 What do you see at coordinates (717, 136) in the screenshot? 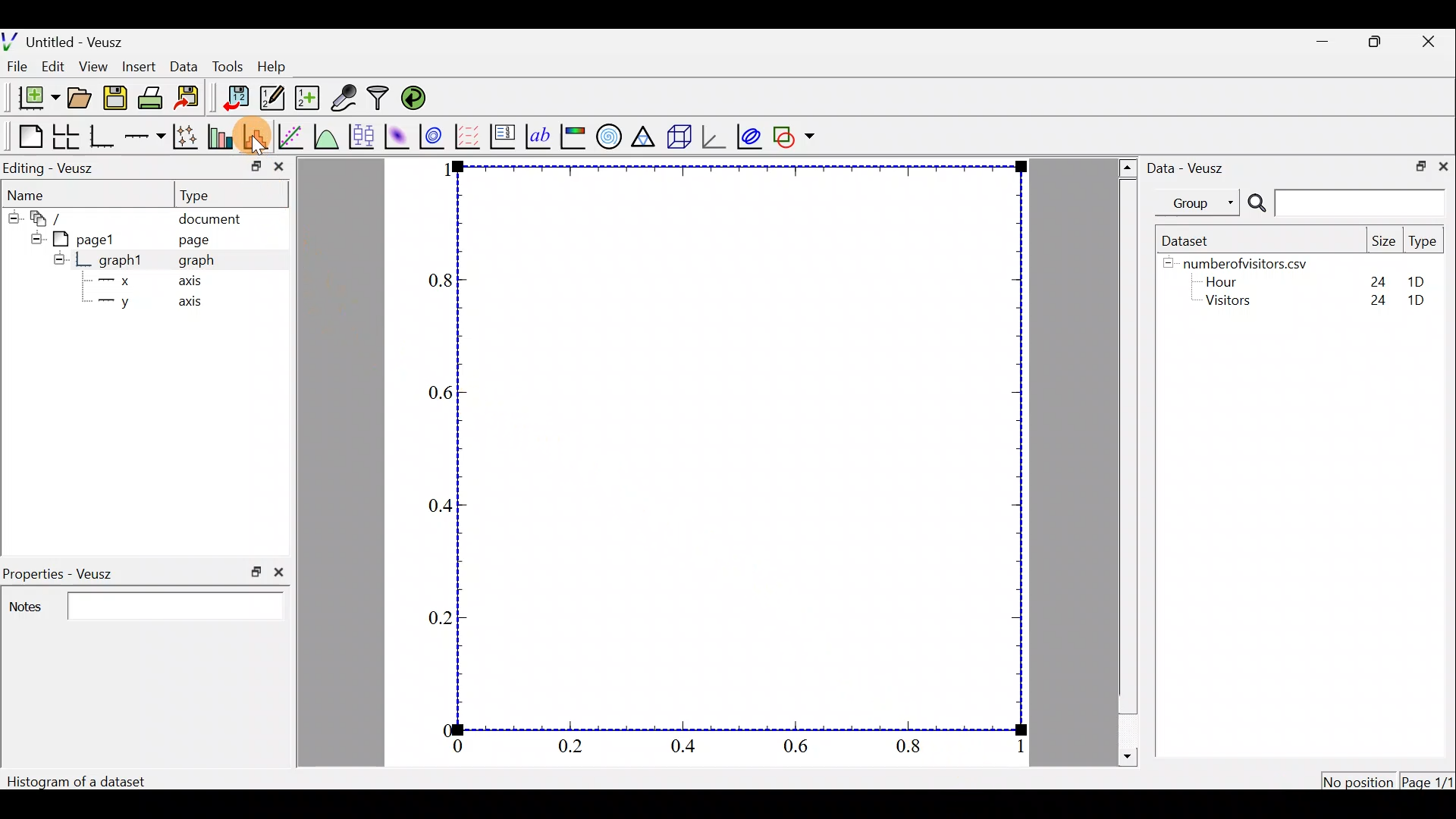
I see `3d graph` at bounding box center [717, 136].